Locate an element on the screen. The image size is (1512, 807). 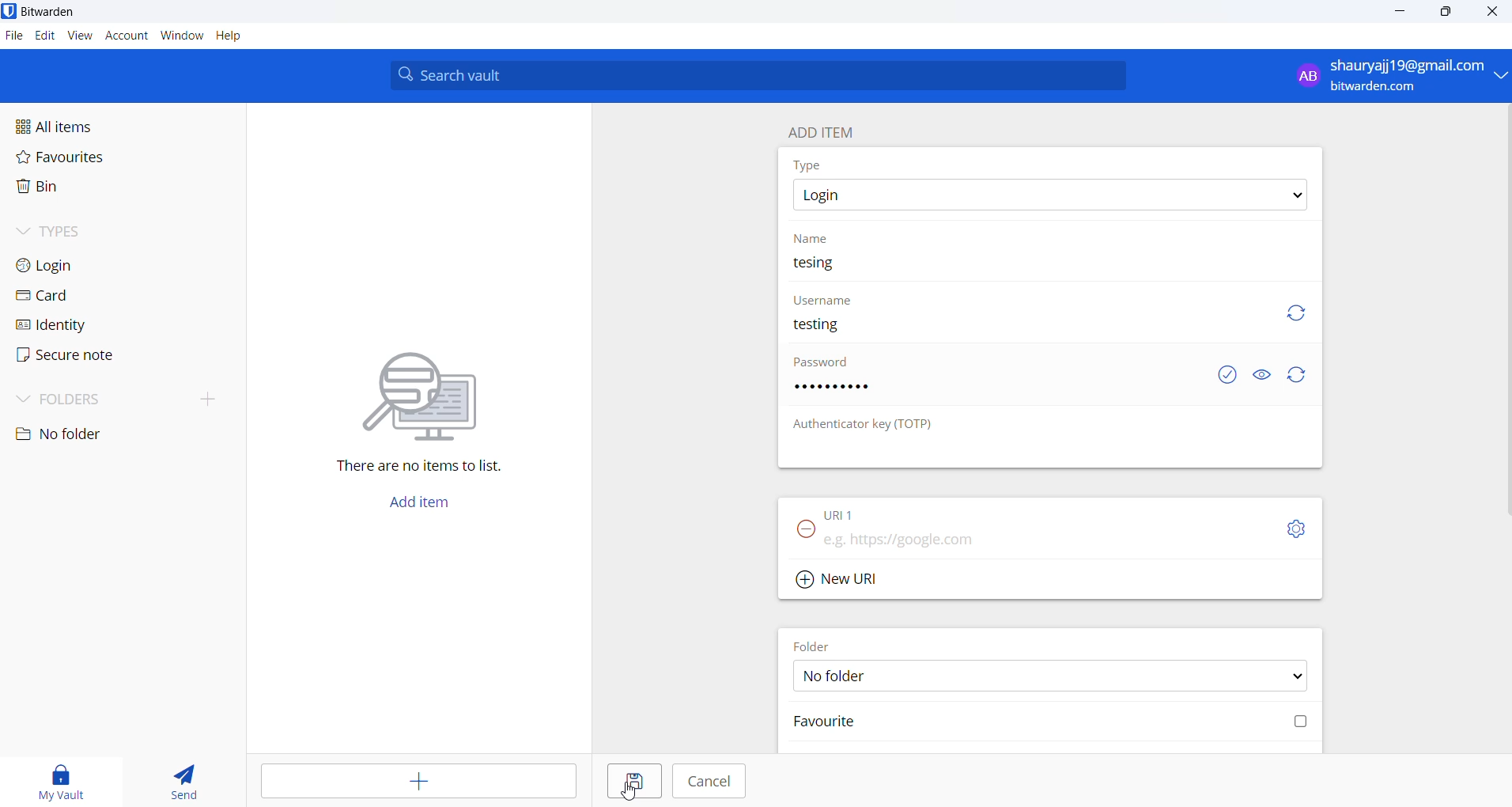
URL settings is located at coordinates (1299, 530).